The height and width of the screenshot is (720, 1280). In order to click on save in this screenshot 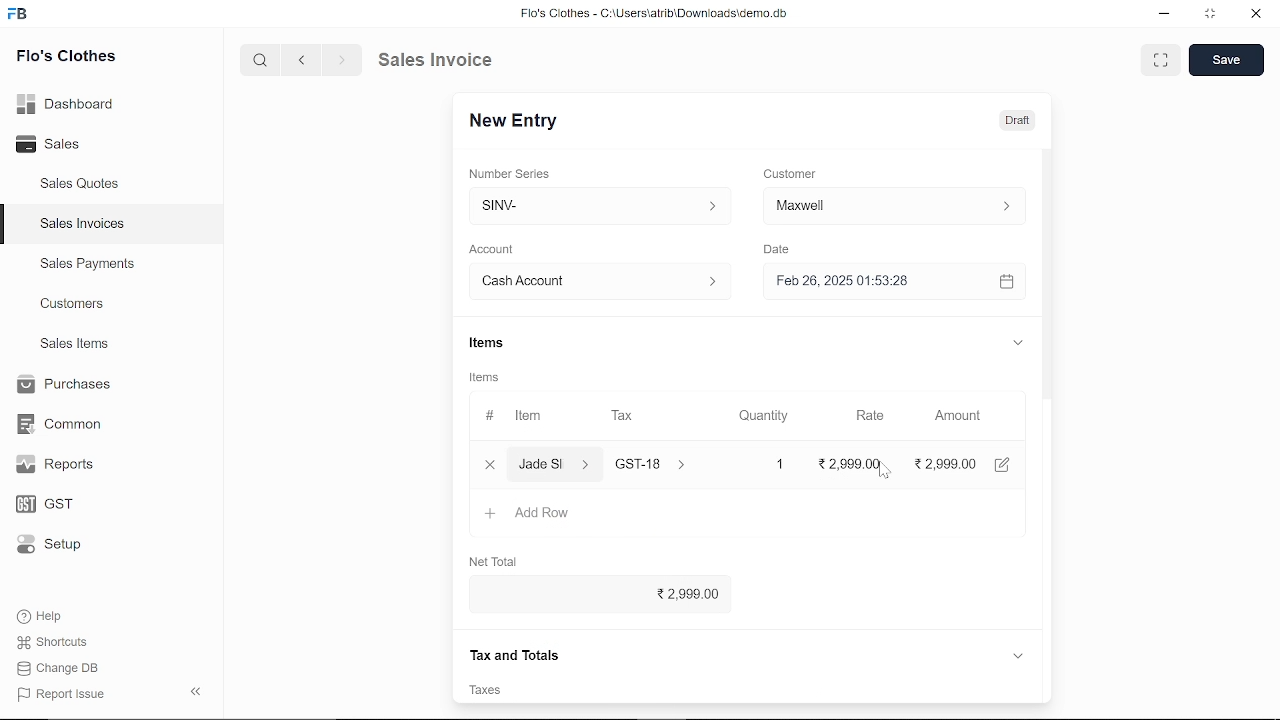, I will do `click(1226, 60)`.